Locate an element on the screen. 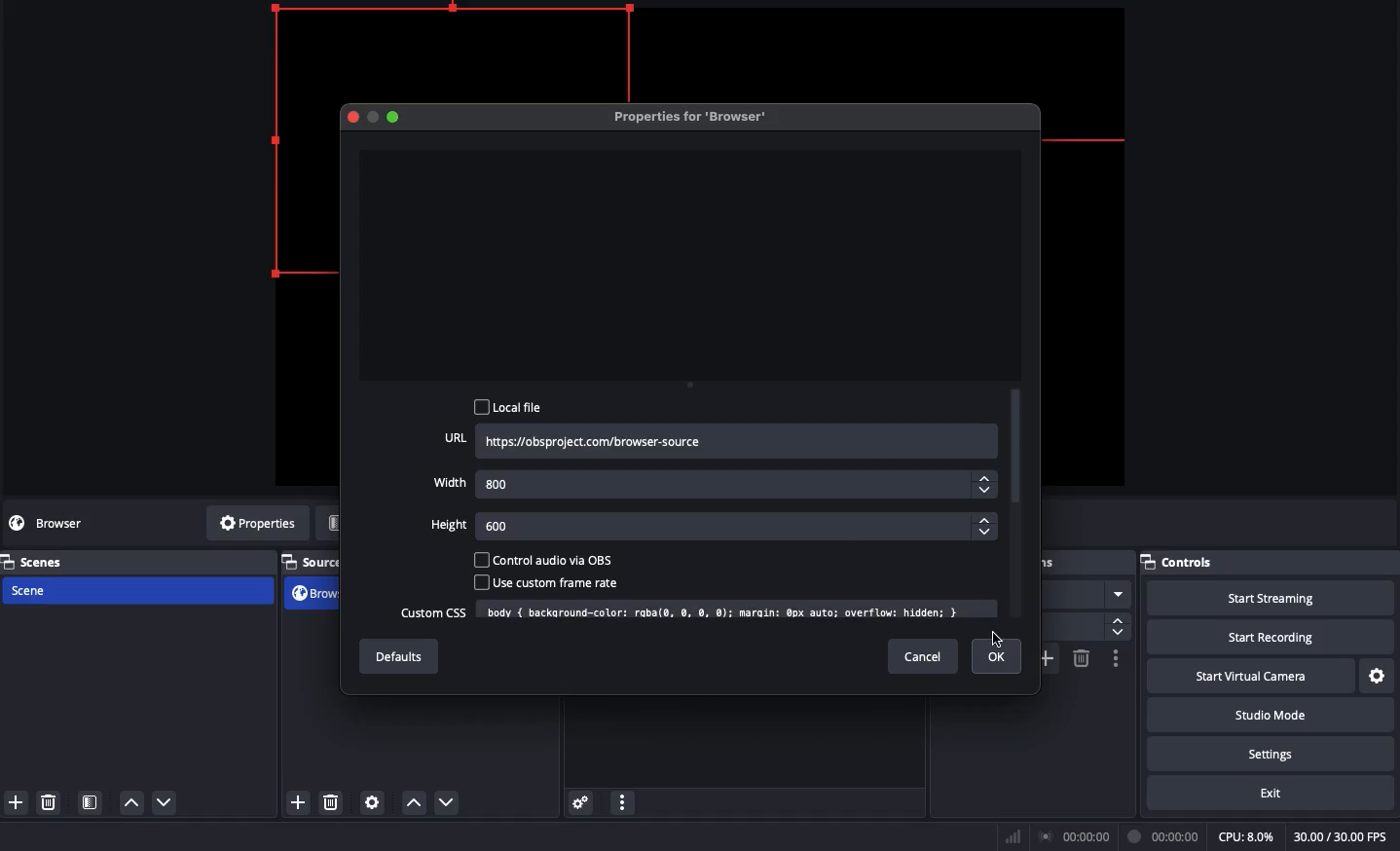 Image resolution: width=1400 pixels, height=851 pixels. add is located at coordinates (16, 800).